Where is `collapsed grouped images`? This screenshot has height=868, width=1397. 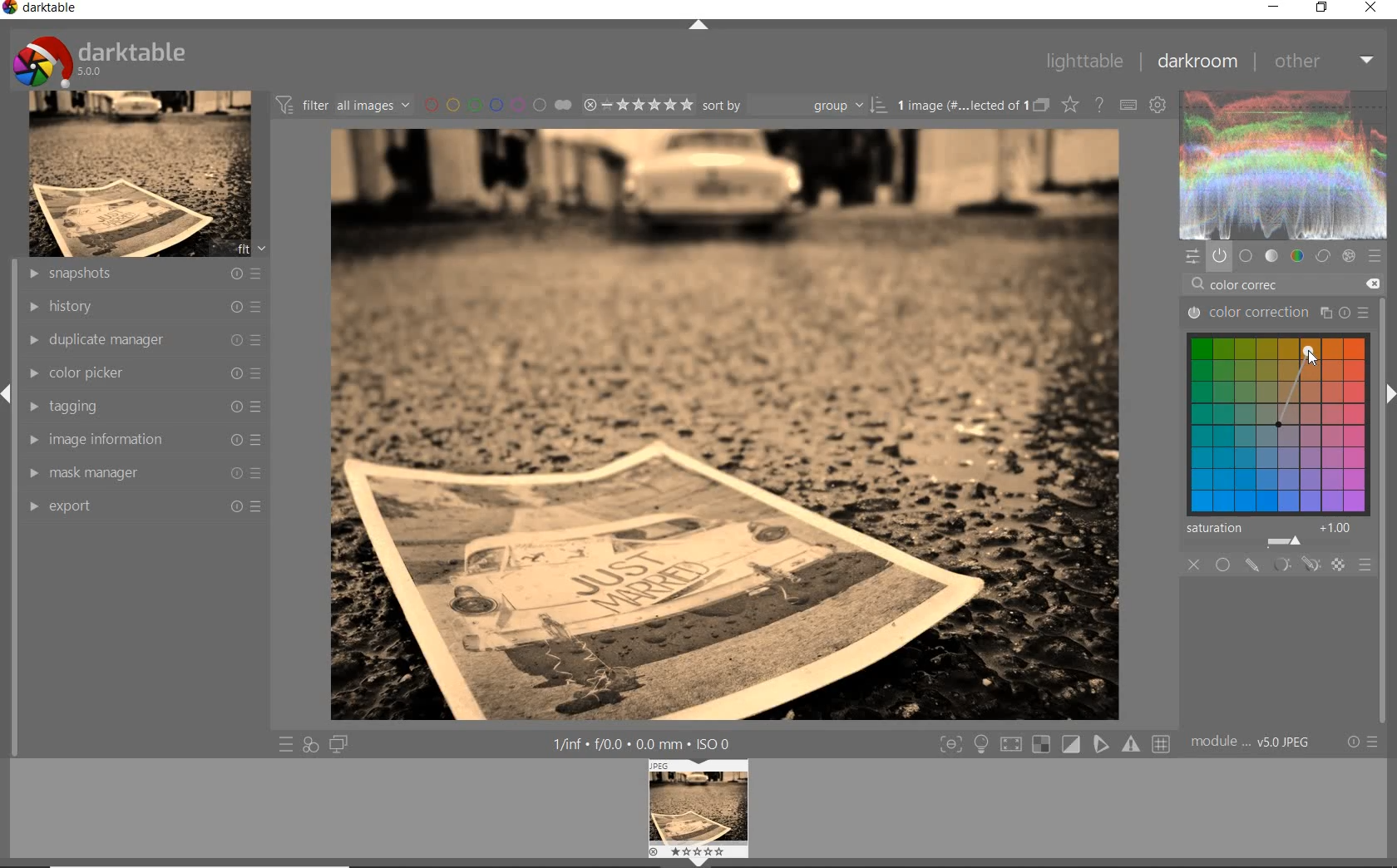
collapsed grouped images is located at coordinates (1042, 105).